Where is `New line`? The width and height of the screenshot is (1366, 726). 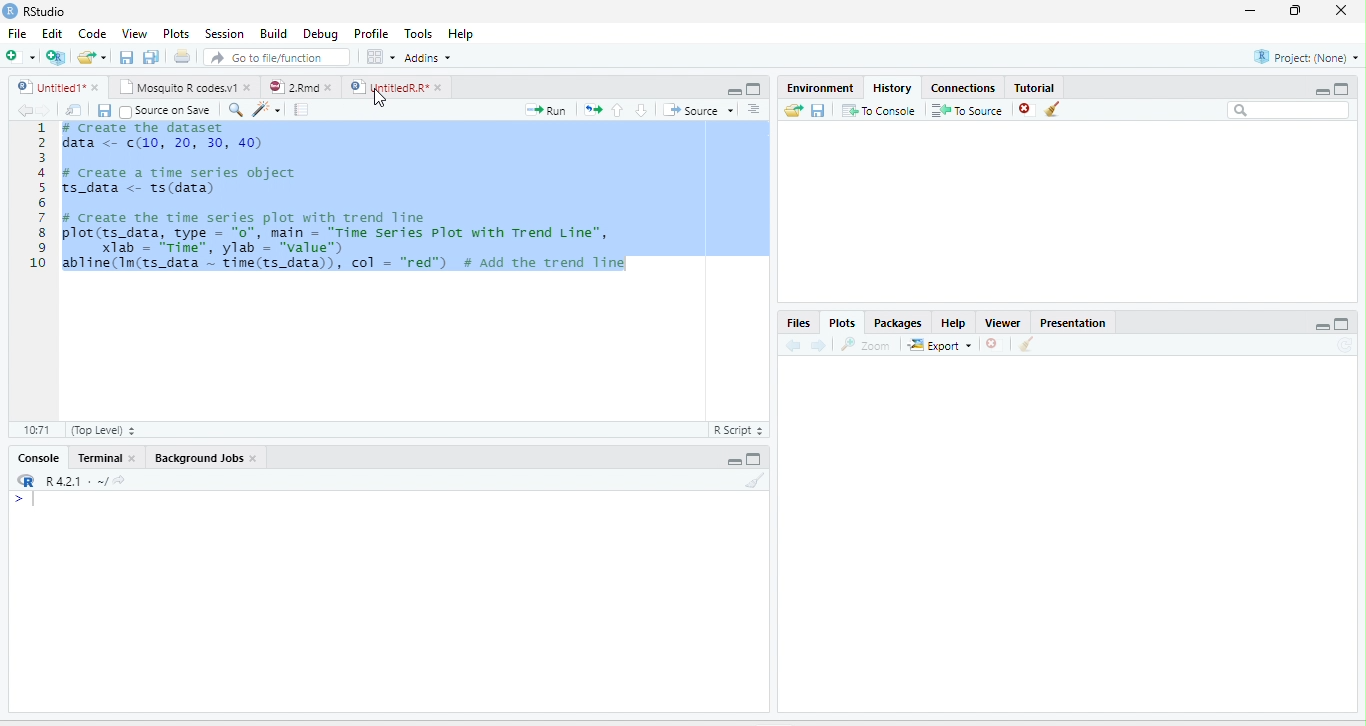 New line is located at coordinates (25, 500).